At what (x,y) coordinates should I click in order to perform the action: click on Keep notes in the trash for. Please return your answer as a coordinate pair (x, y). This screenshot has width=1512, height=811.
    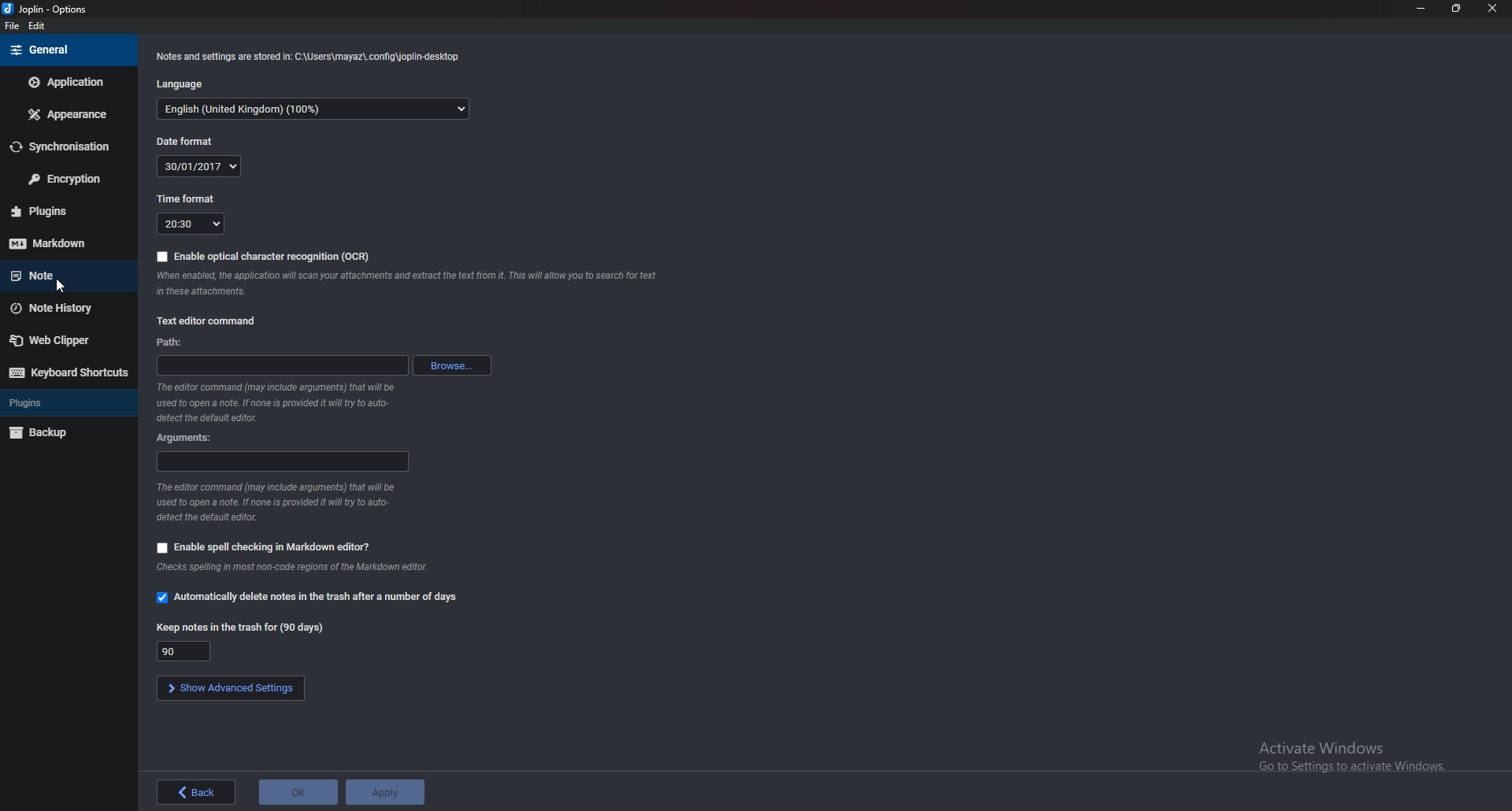
    Looking at the image, I should click on (190, 650).